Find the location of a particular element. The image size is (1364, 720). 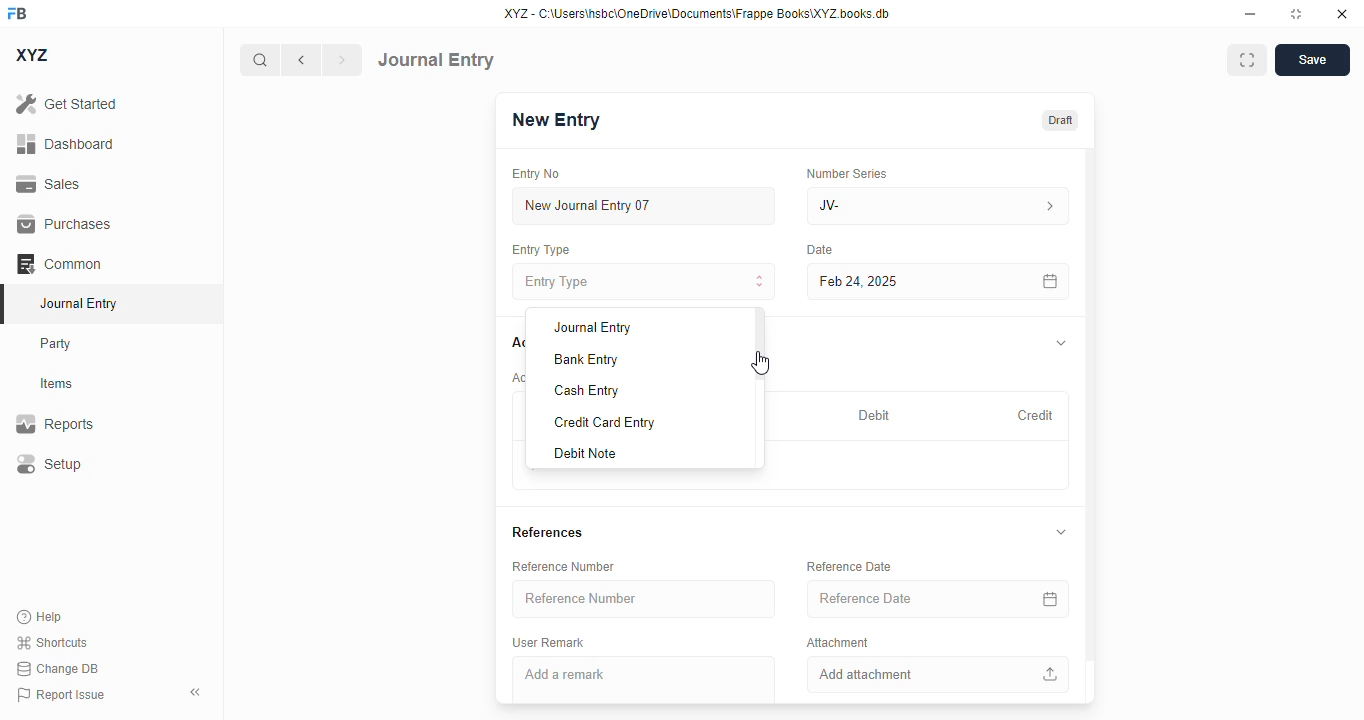

add attachment is located at coordinates (937, 675).